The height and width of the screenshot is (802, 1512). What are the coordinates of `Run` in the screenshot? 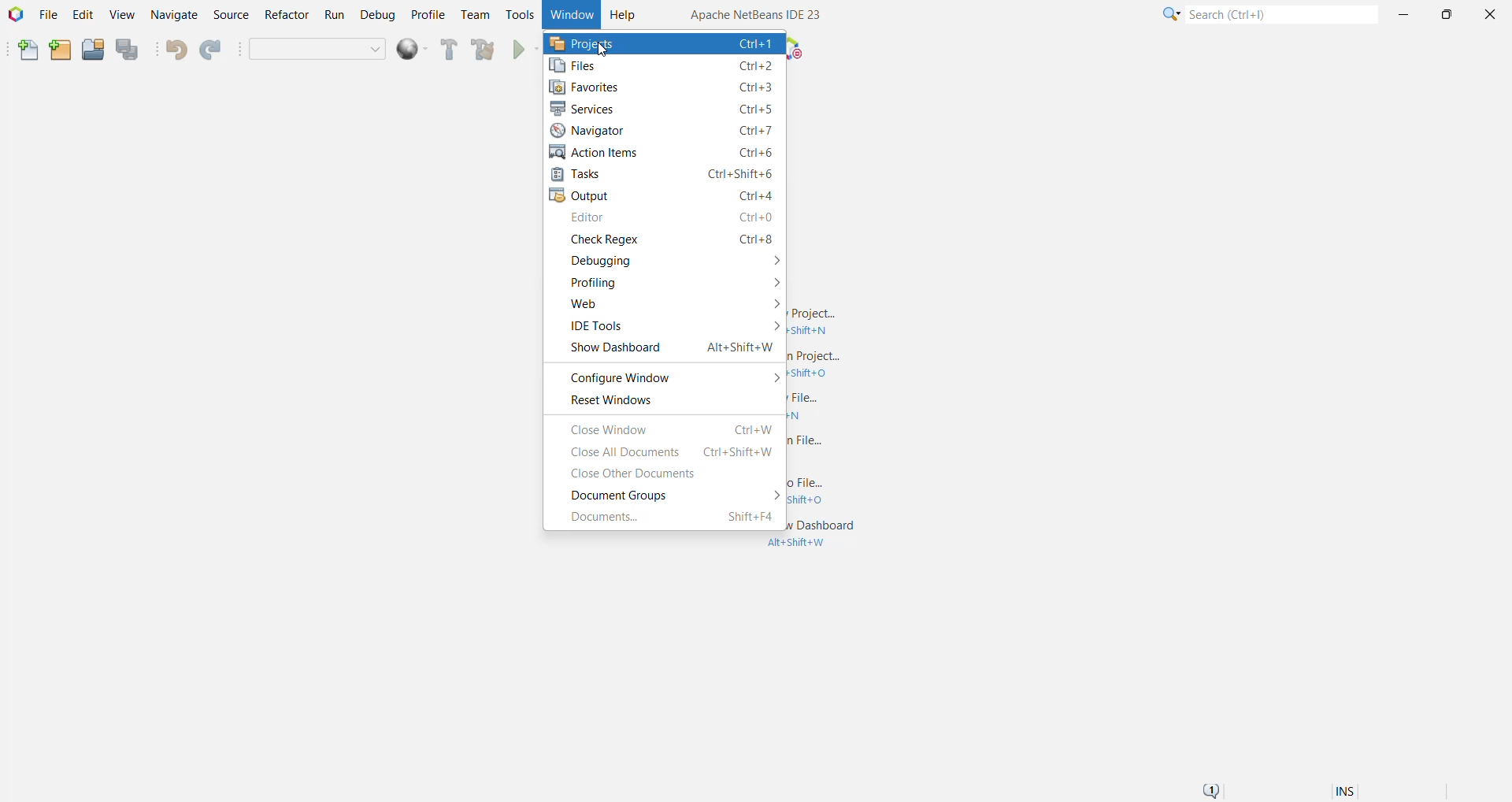 It's located at (333, 16).